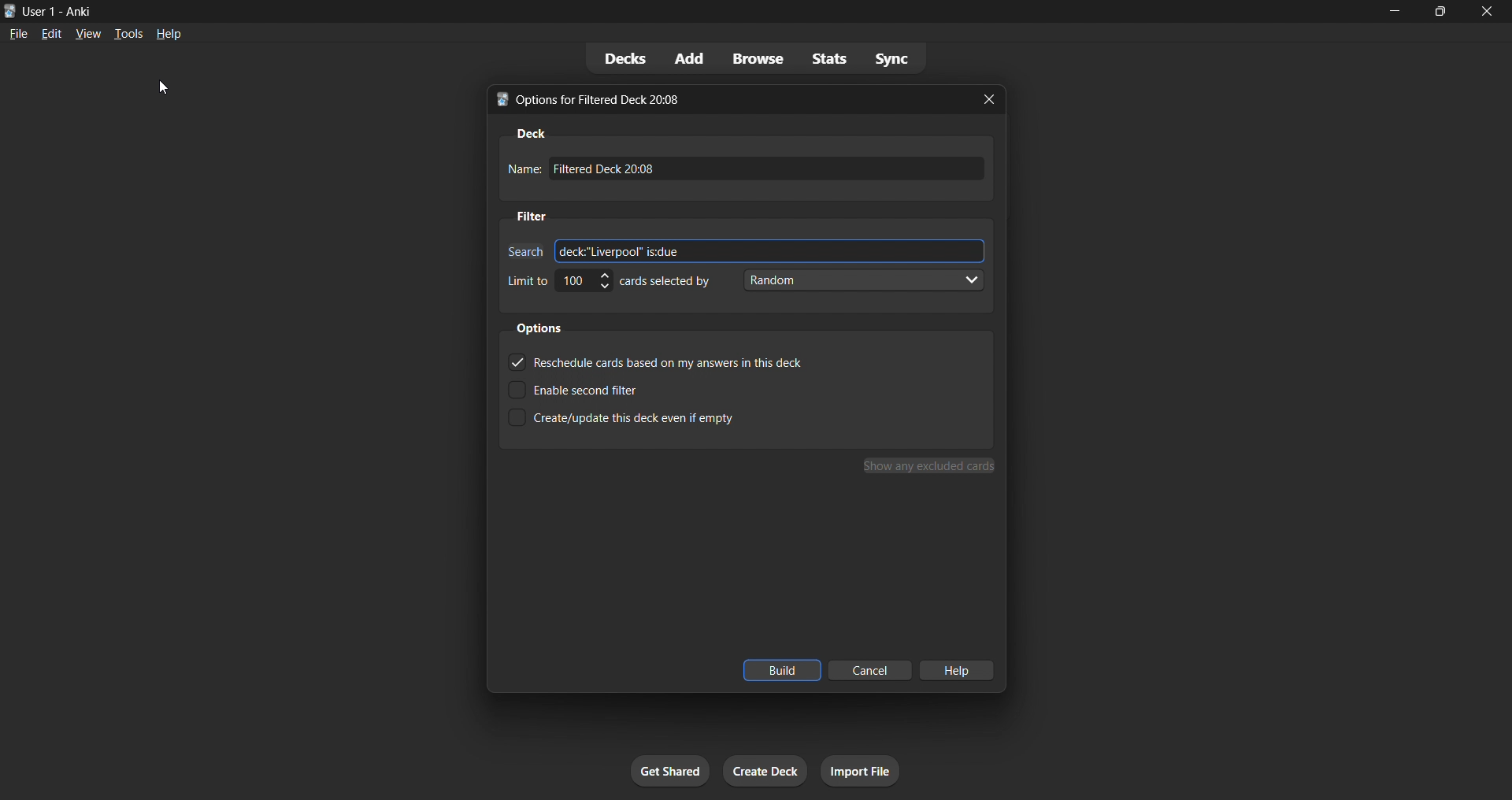 The height and width of the screenshot is (800, 1512). What do you see at coordinates (527, 280) in the screenshot?
I see `limit to` at bounding box center [527, 280].